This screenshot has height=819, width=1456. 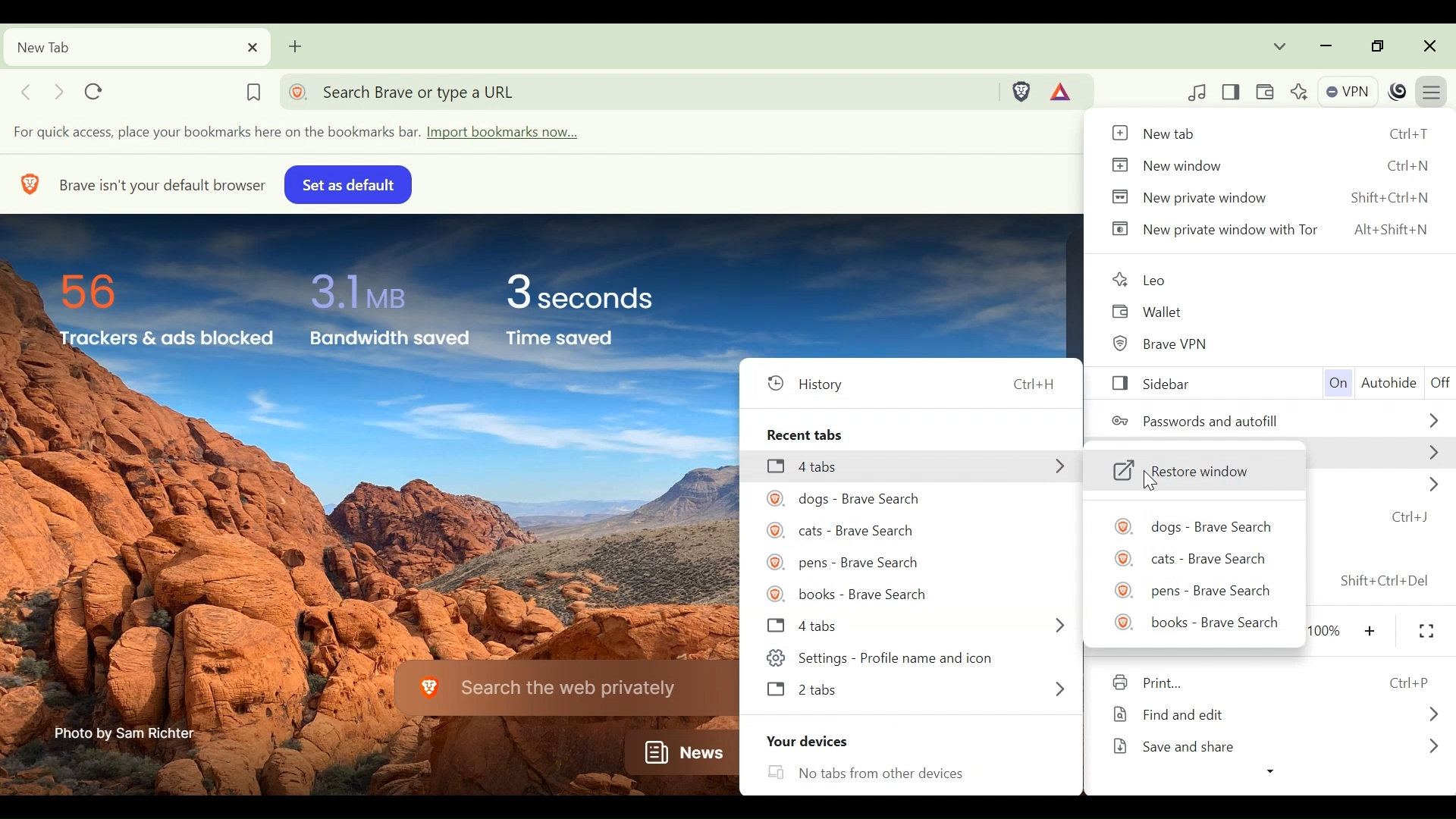 I want to click on Print, so click(x=1186, y=686).